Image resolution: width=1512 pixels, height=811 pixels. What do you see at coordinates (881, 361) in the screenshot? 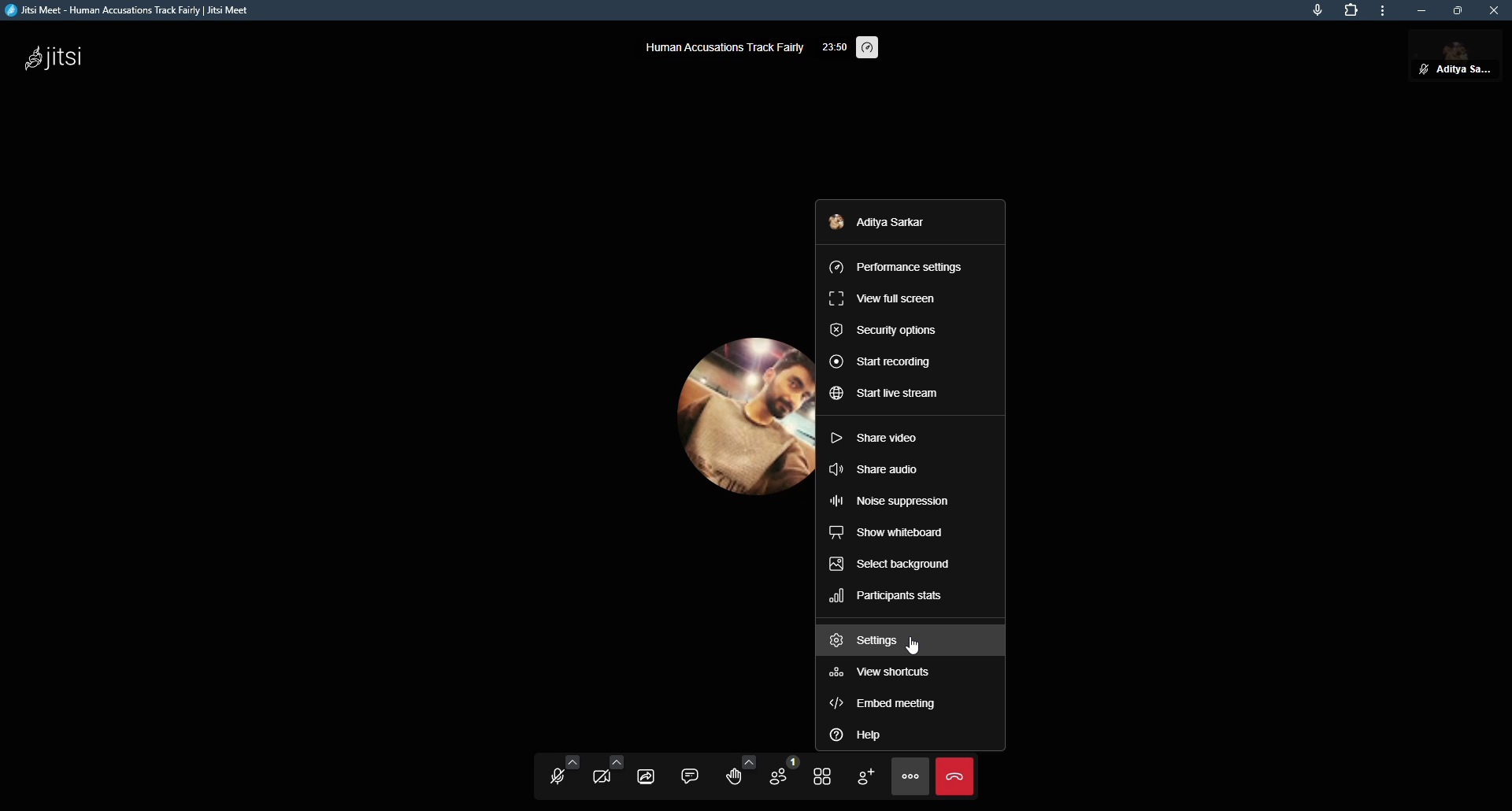
I see `start recording` at bounding box center [881, 361].